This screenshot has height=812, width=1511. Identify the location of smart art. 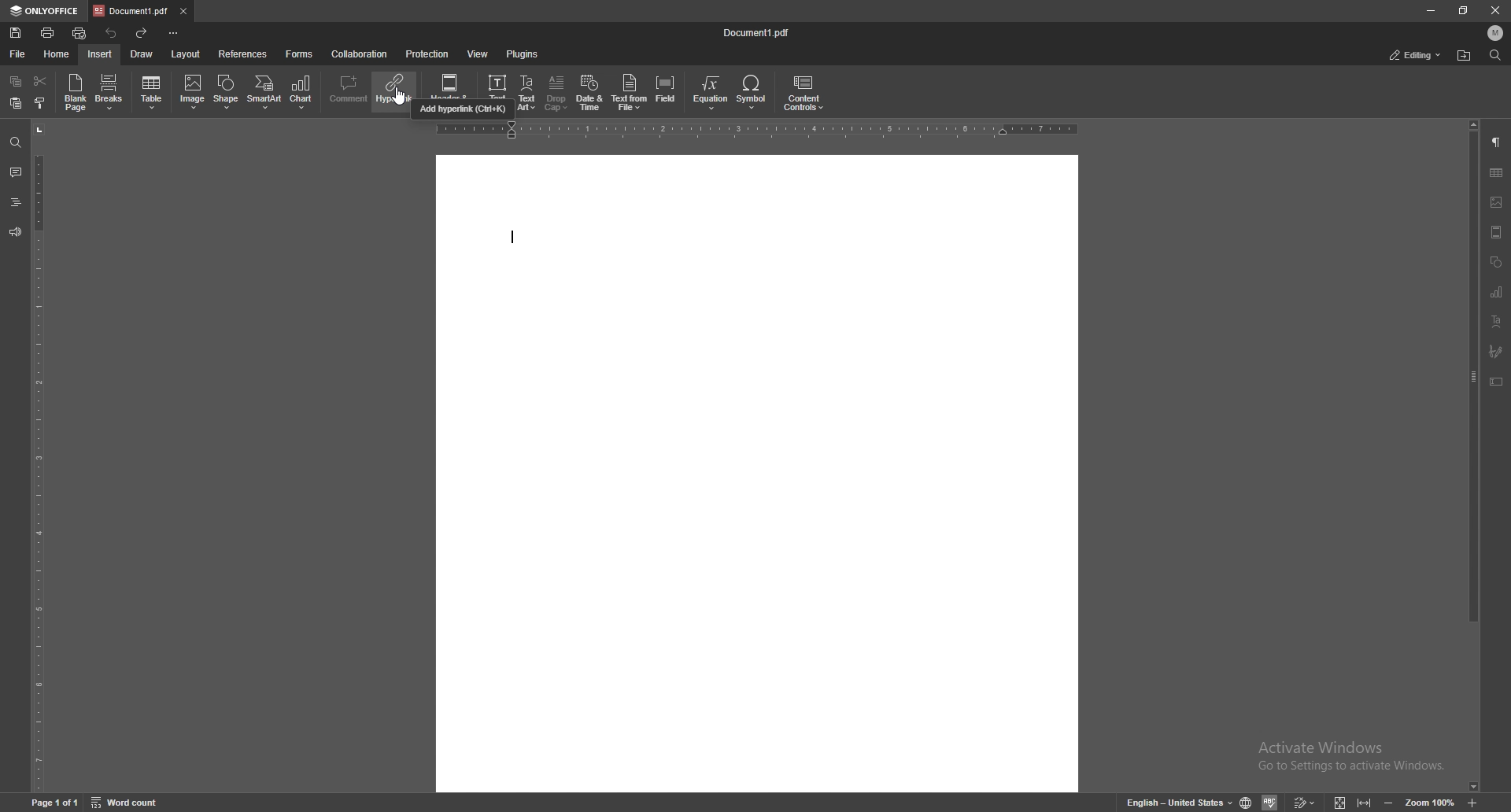
(265, 92).